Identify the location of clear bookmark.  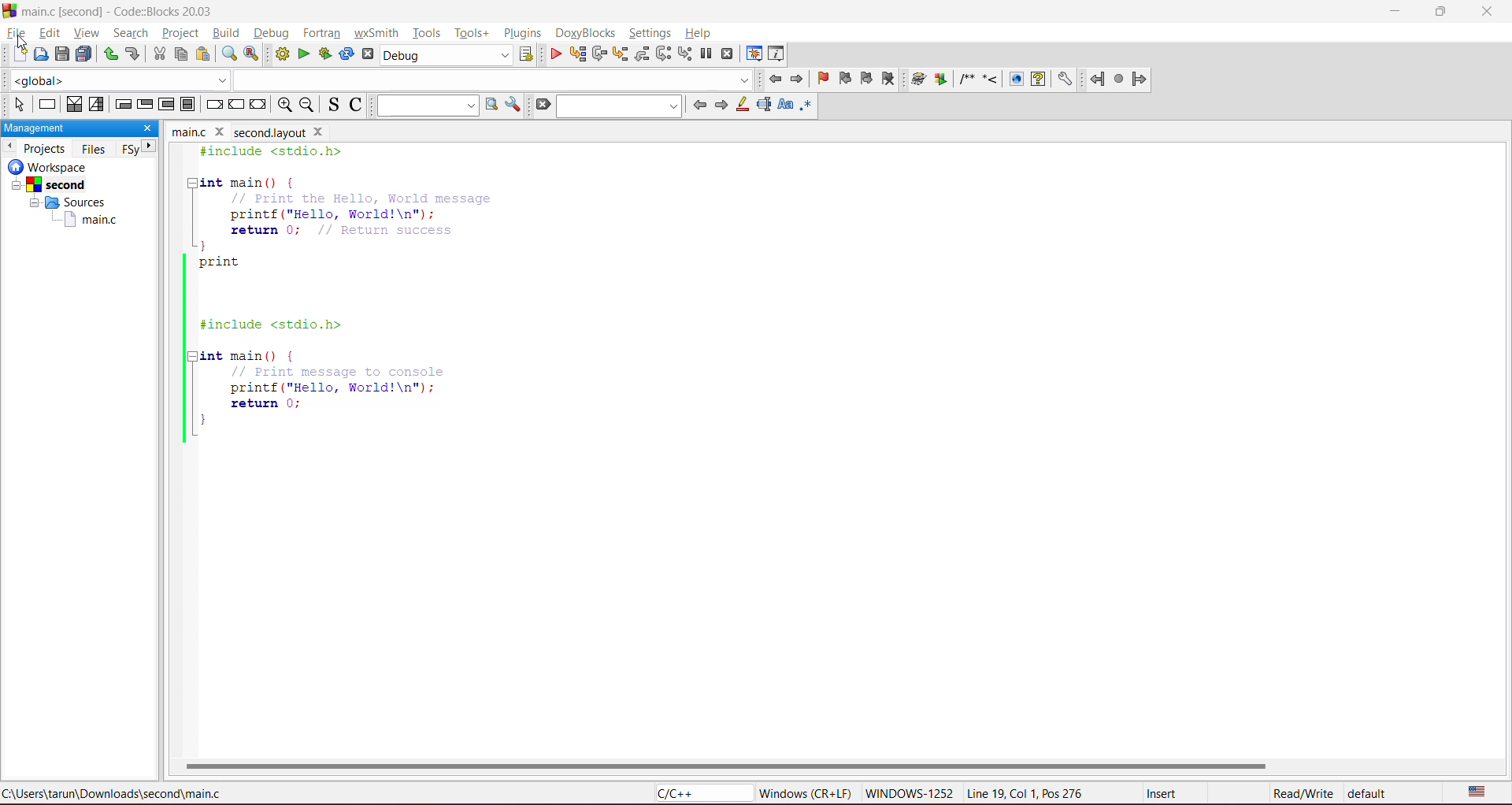
(889, 80).